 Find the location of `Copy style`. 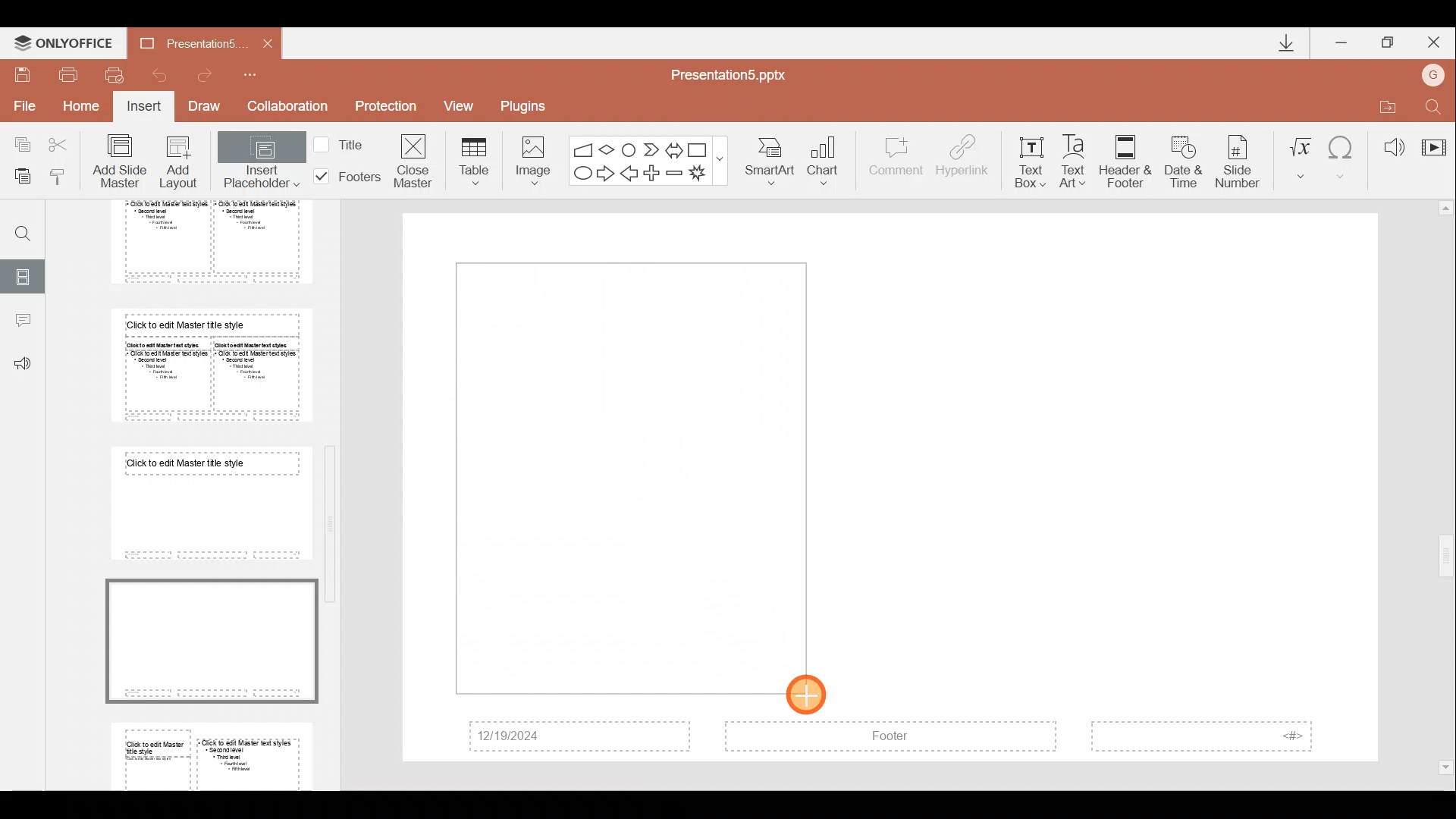

Copy style is located at coordinates (64, 176).